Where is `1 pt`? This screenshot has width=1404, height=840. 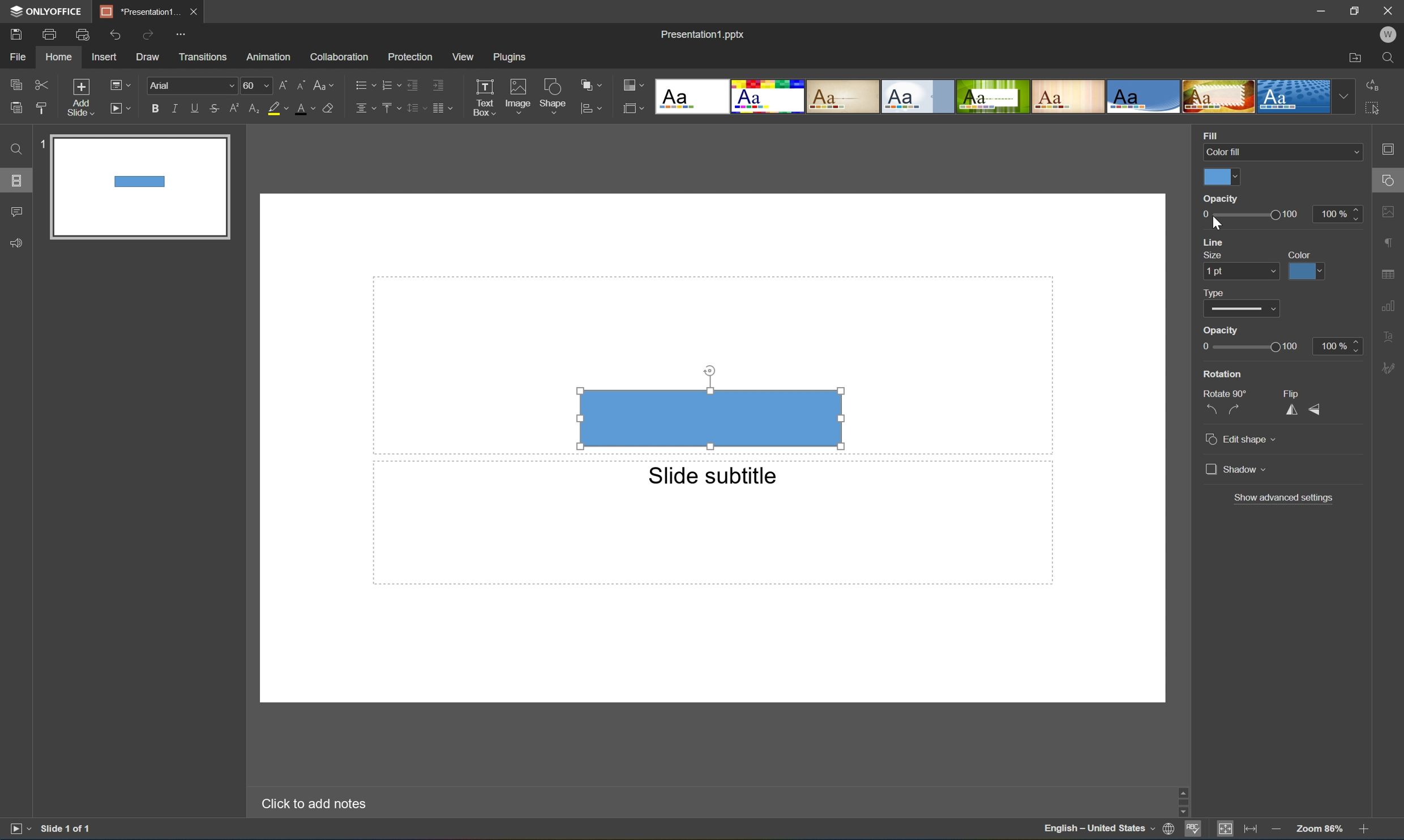 1 pt is located at coordinates (1236, 271).